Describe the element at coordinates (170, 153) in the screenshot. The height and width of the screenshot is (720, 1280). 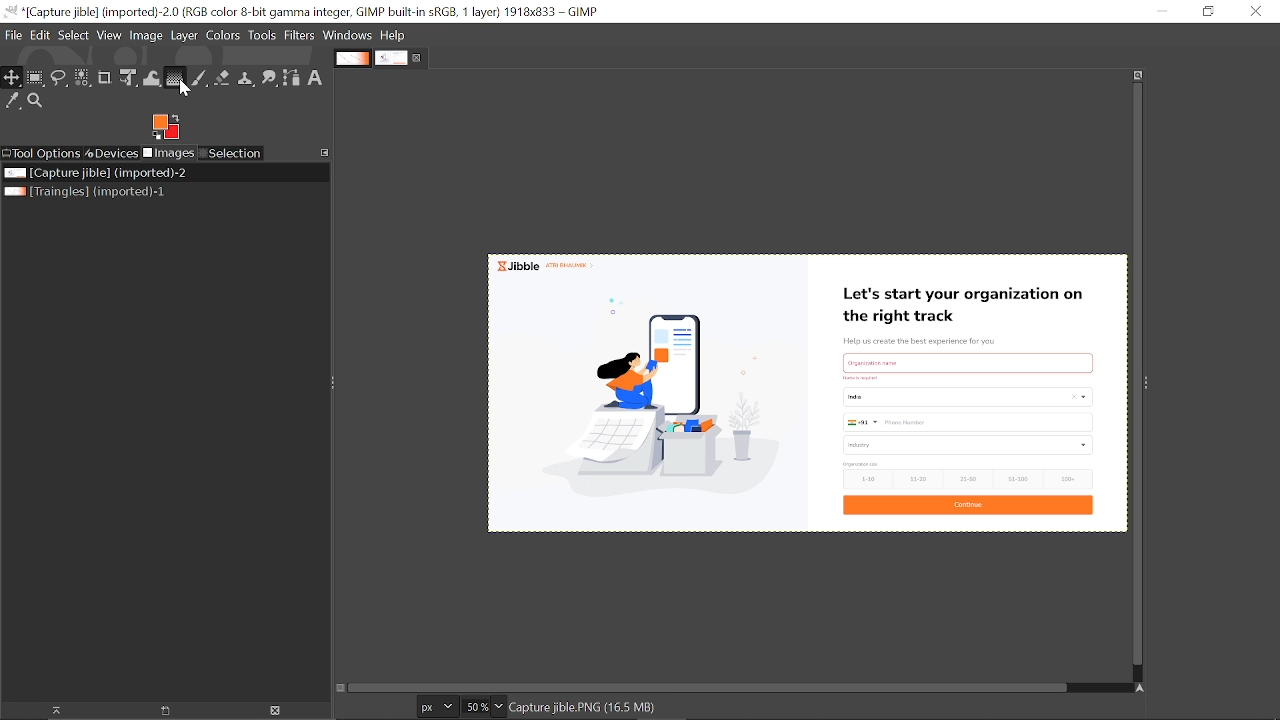
I see `Images` at that location.